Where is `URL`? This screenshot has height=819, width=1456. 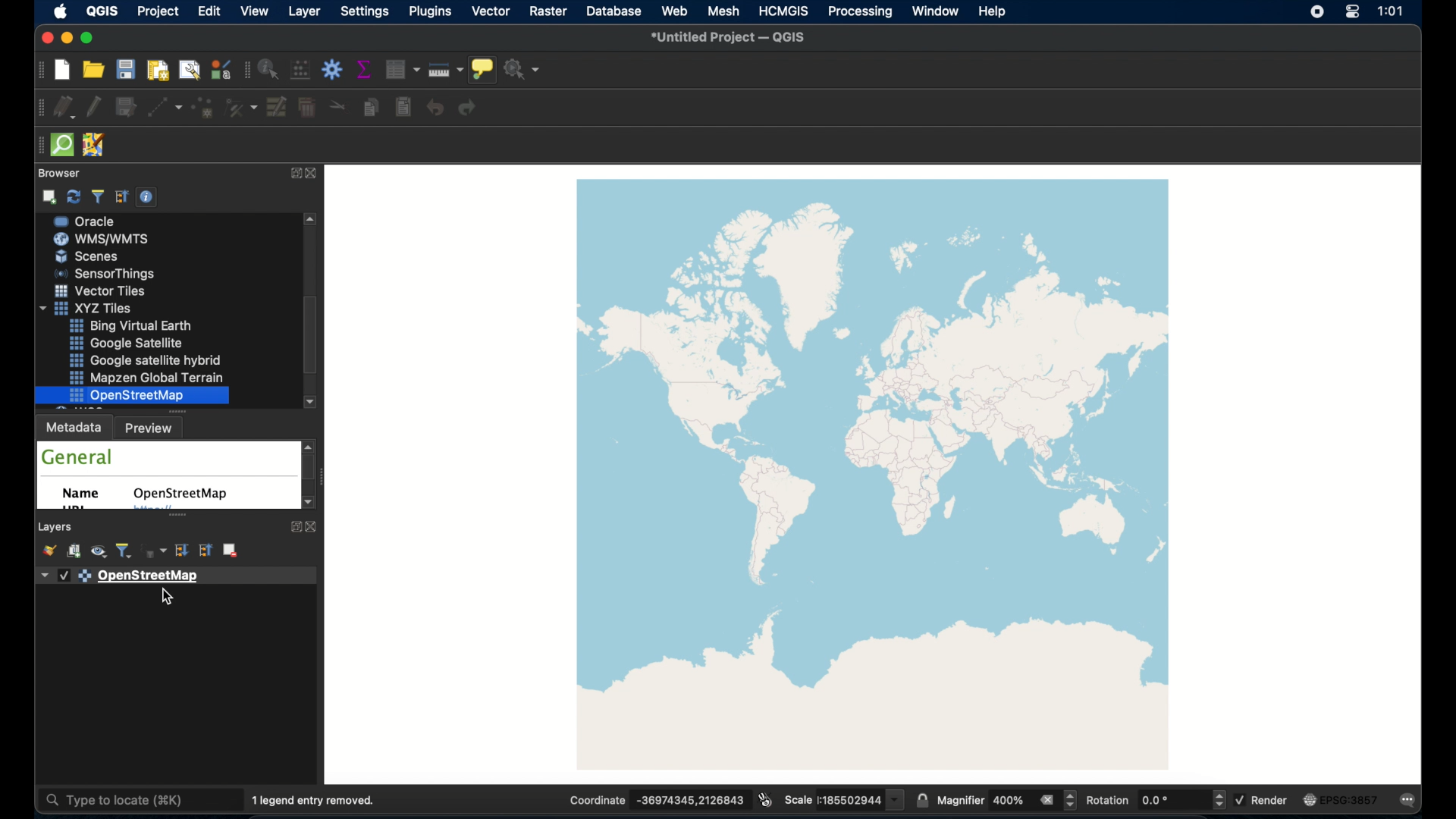
URL is located at coordinates (74, 509).